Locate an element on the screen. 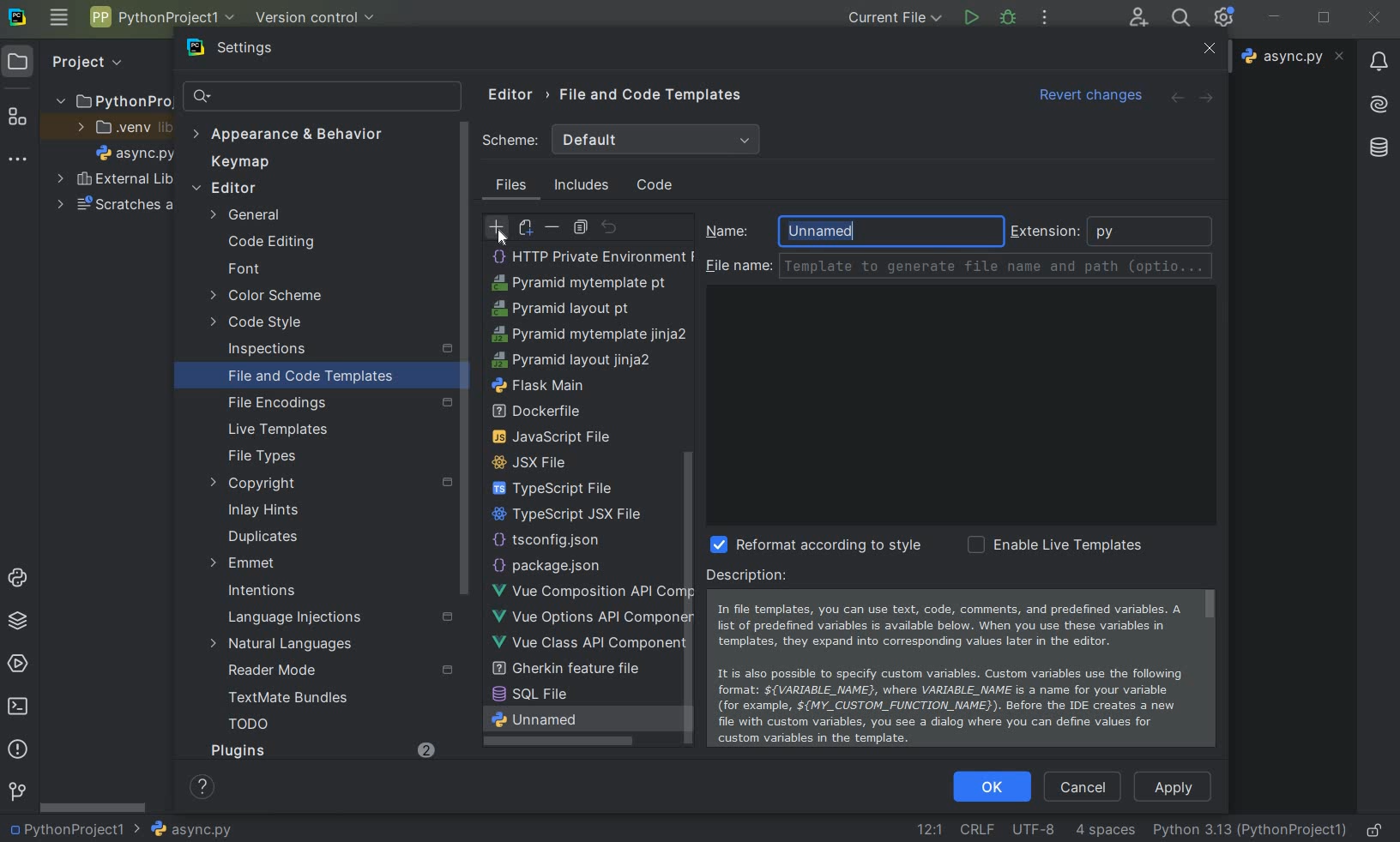 Image resolution: width=1400 pixels, height=842 pixels. file name is located at coordinates (134, 150).